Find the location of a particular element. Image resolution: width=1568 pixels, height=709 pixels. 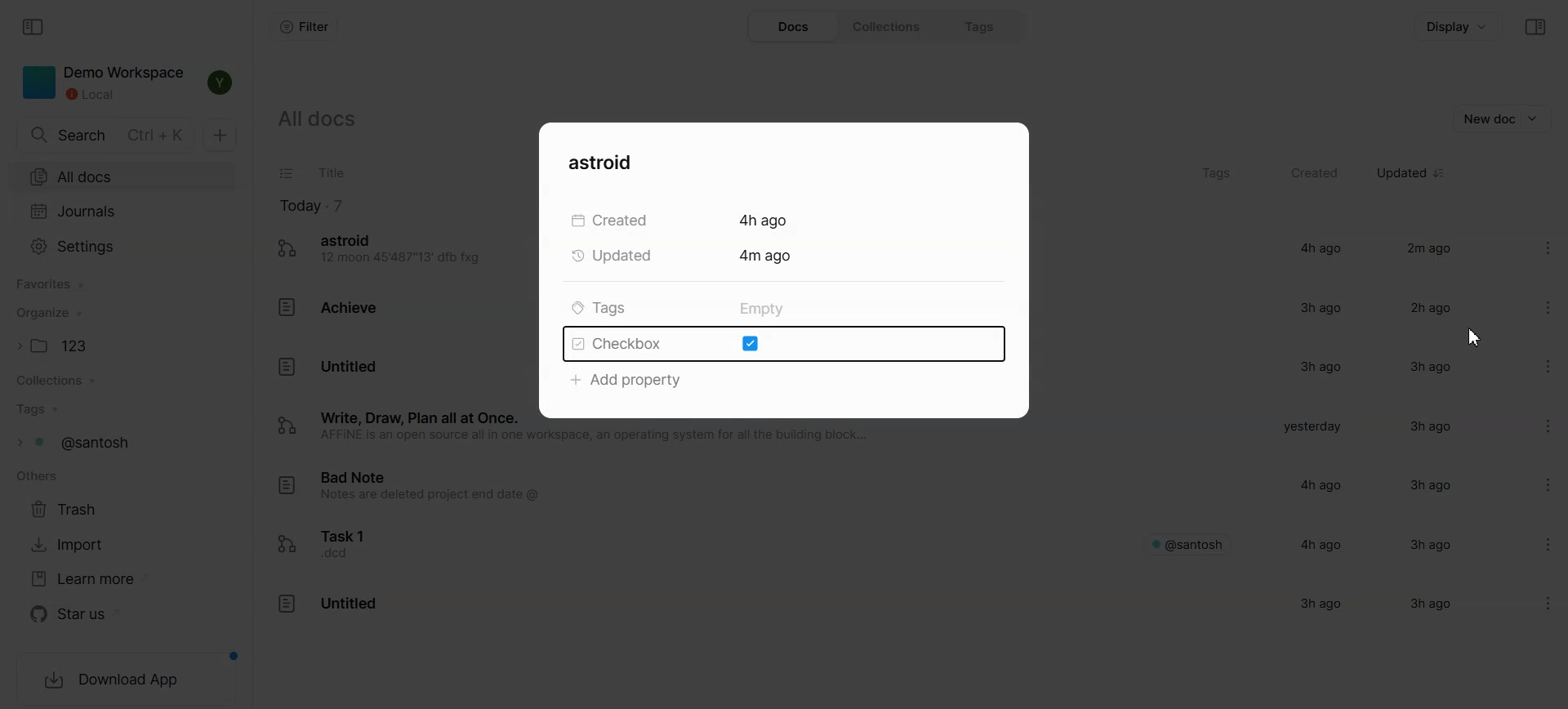

Title is located at coordinates (330, 173).